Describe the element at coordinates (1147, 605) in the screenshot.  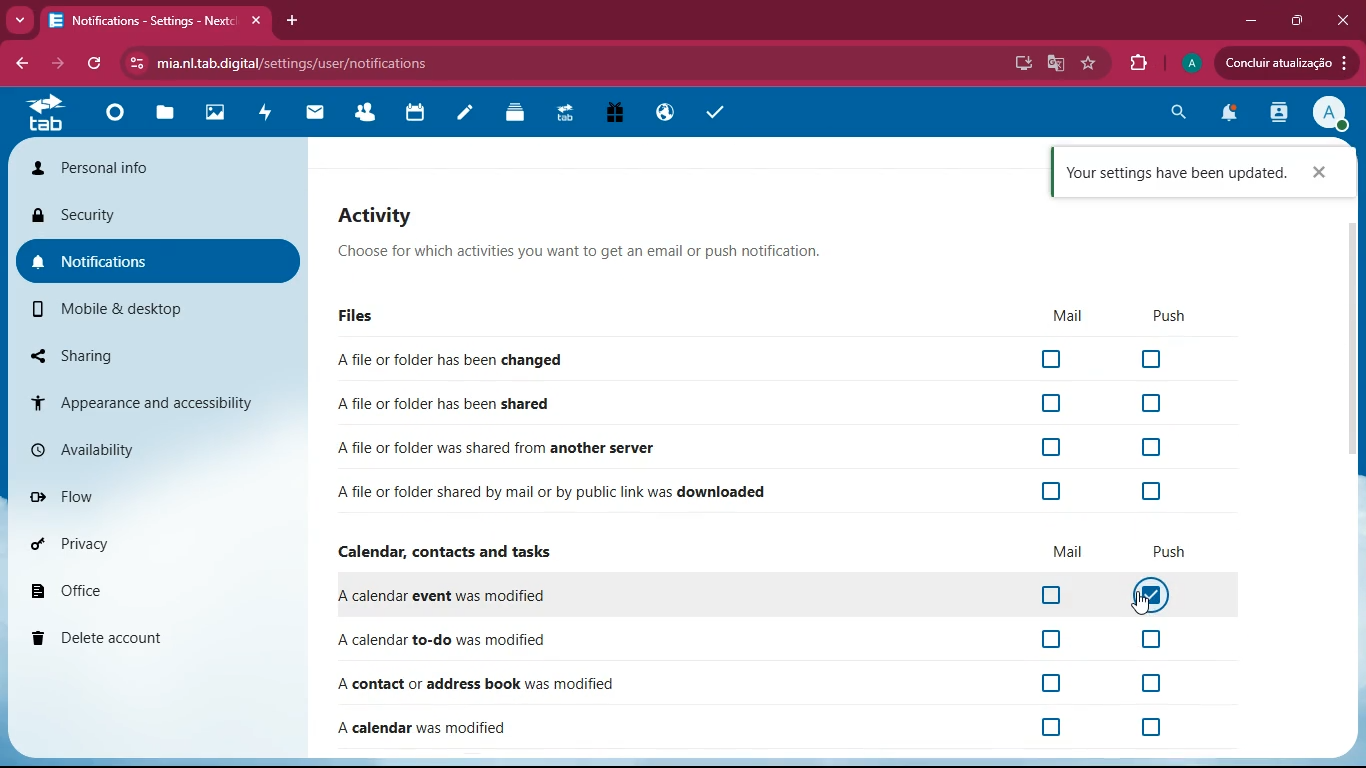
I see `cursor` at that location.